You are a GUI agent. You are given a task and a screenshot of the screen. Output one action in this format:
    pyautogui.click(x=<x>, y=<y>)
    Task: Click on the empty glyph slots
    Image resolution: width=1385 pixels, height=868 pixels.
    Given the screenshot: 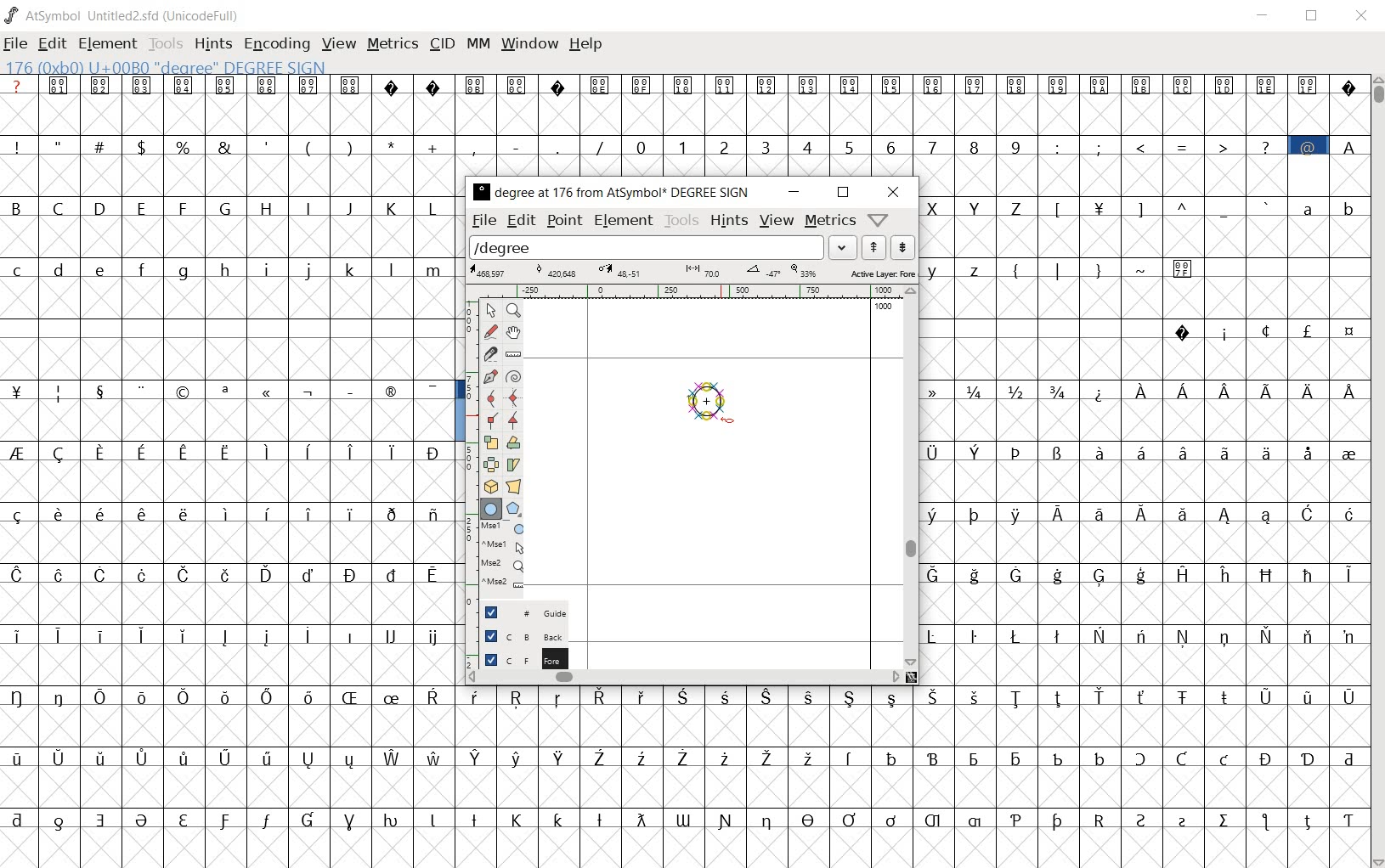 What is the action you would take?
    pyautogui.click(x=229, y=239)
    